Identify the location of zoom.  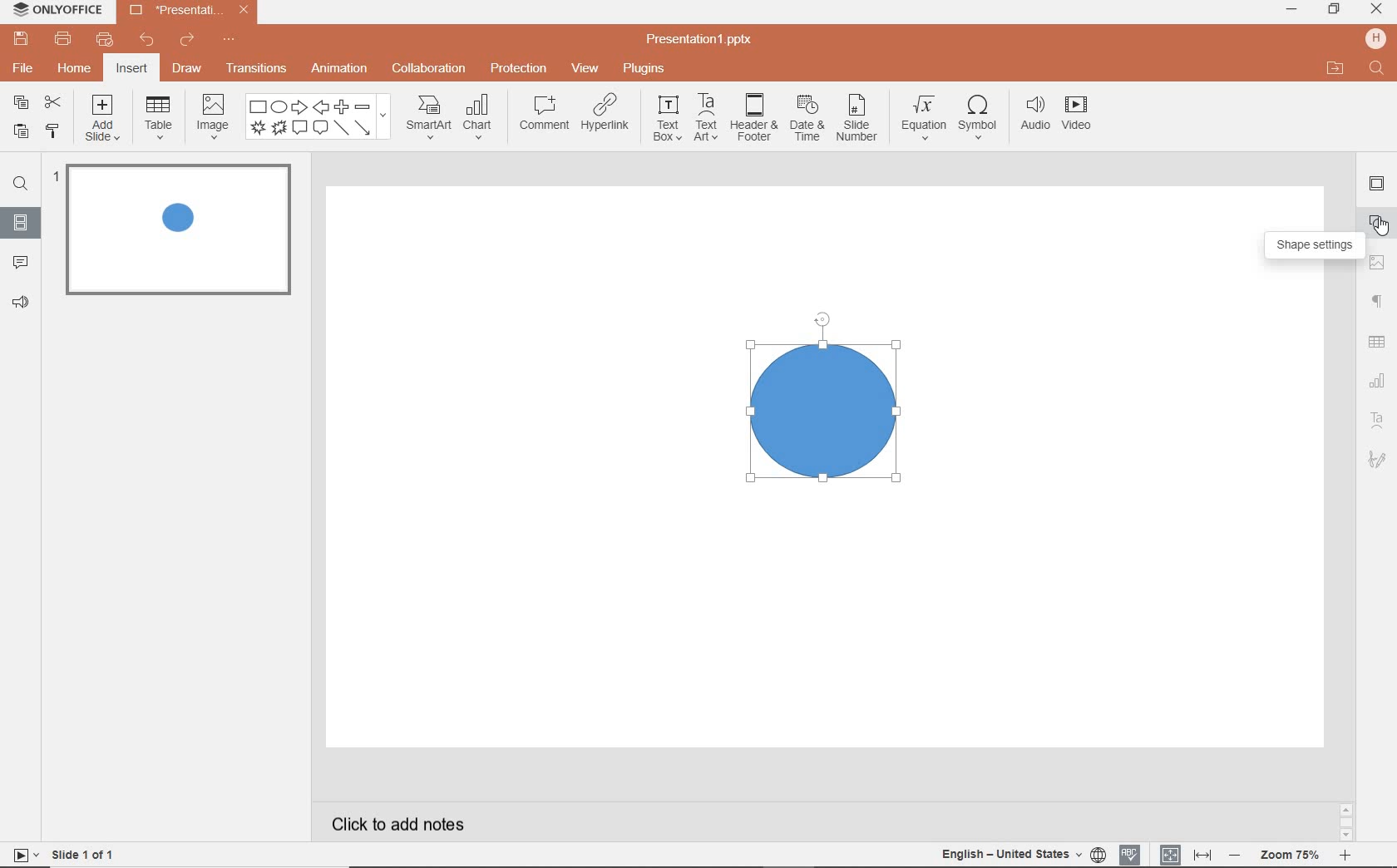
(1290, 856).